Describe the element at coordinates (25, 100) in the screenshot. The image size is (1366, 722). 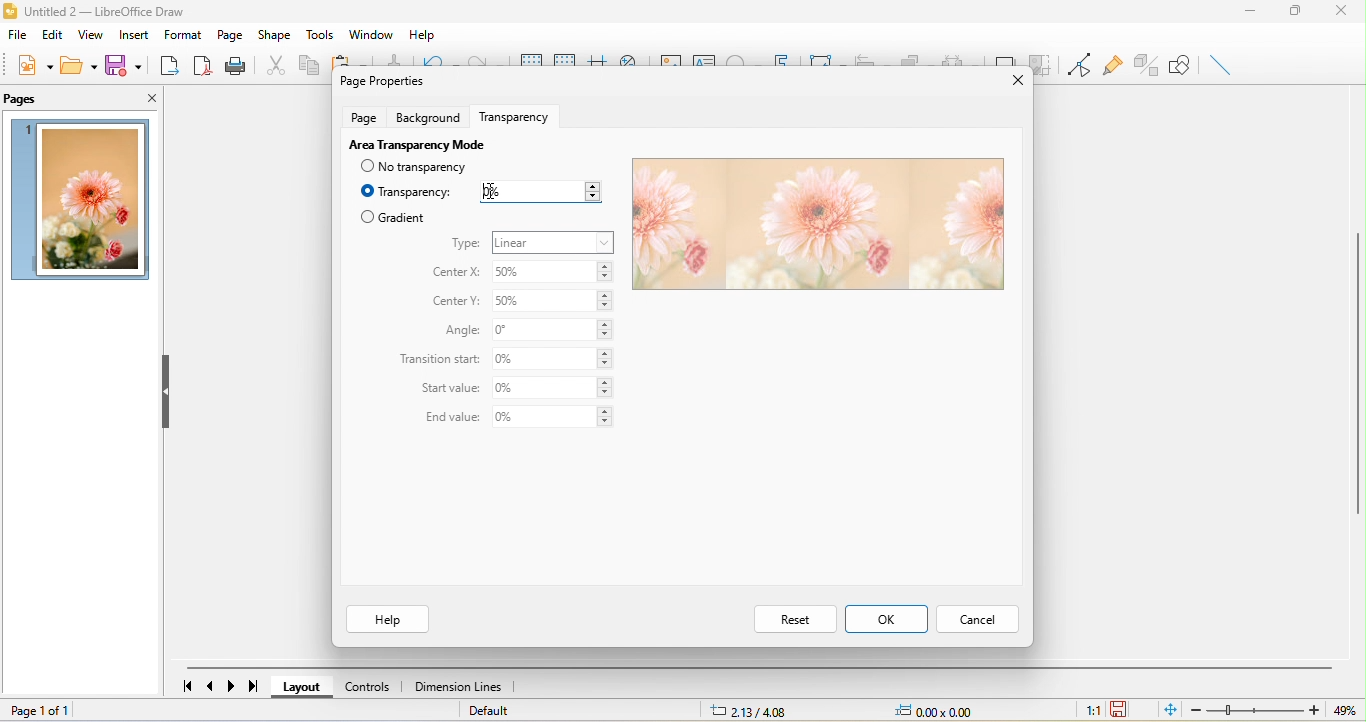
I see `pages` at that location.